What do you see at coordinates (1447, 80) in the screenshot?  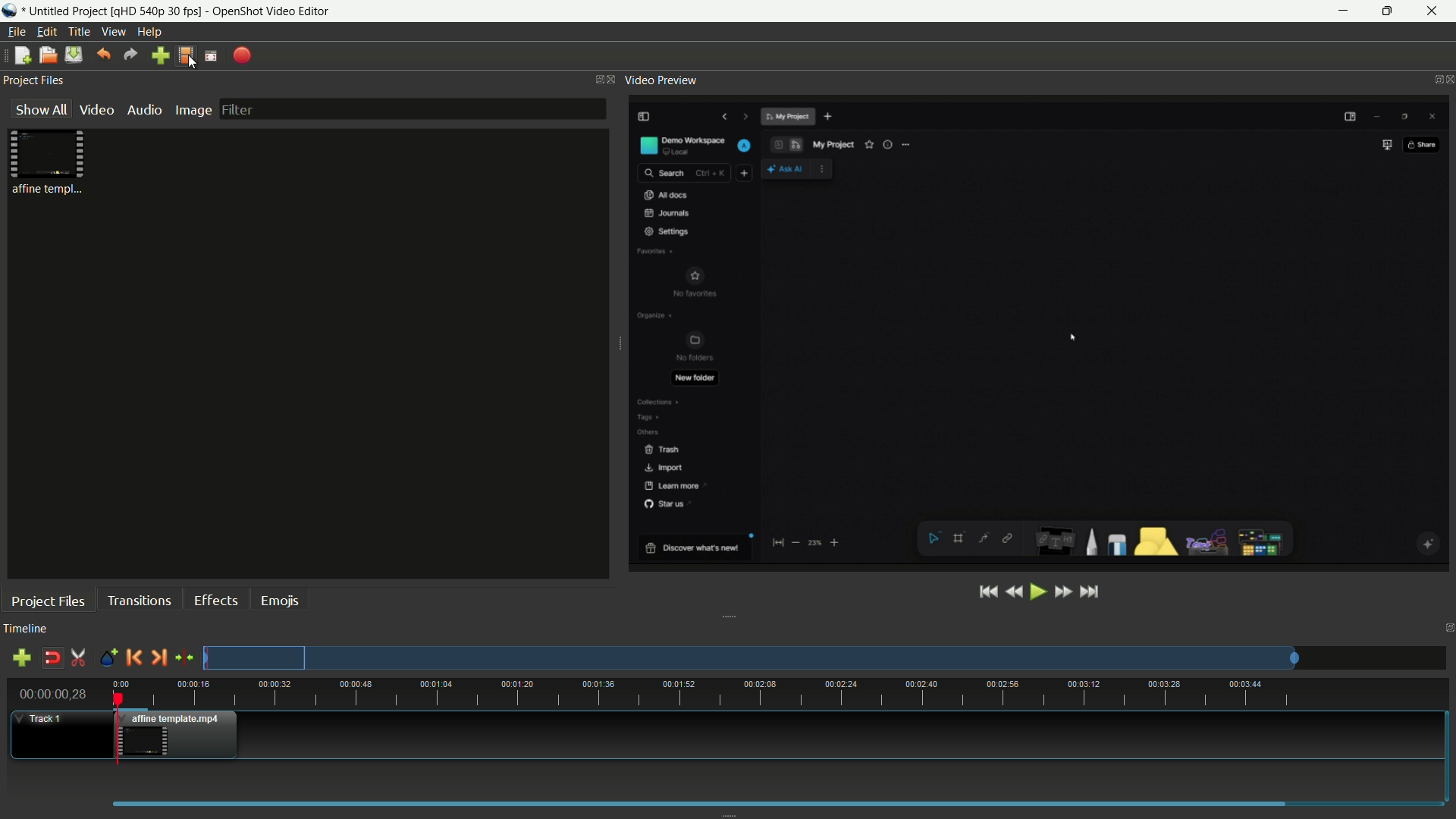 I see `close video preview` at bounding box center [1447, 80].